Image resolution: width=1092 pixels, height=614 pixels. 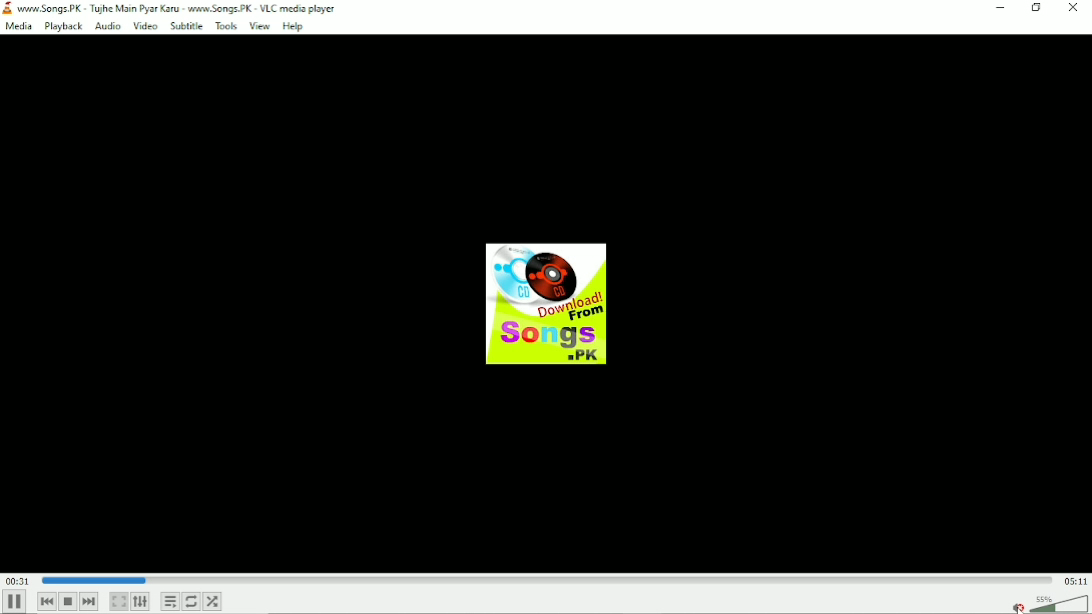 What do you see at coordinates (295, 27) in the screenshot?
I see `Help` at bounding box center [295, 27].